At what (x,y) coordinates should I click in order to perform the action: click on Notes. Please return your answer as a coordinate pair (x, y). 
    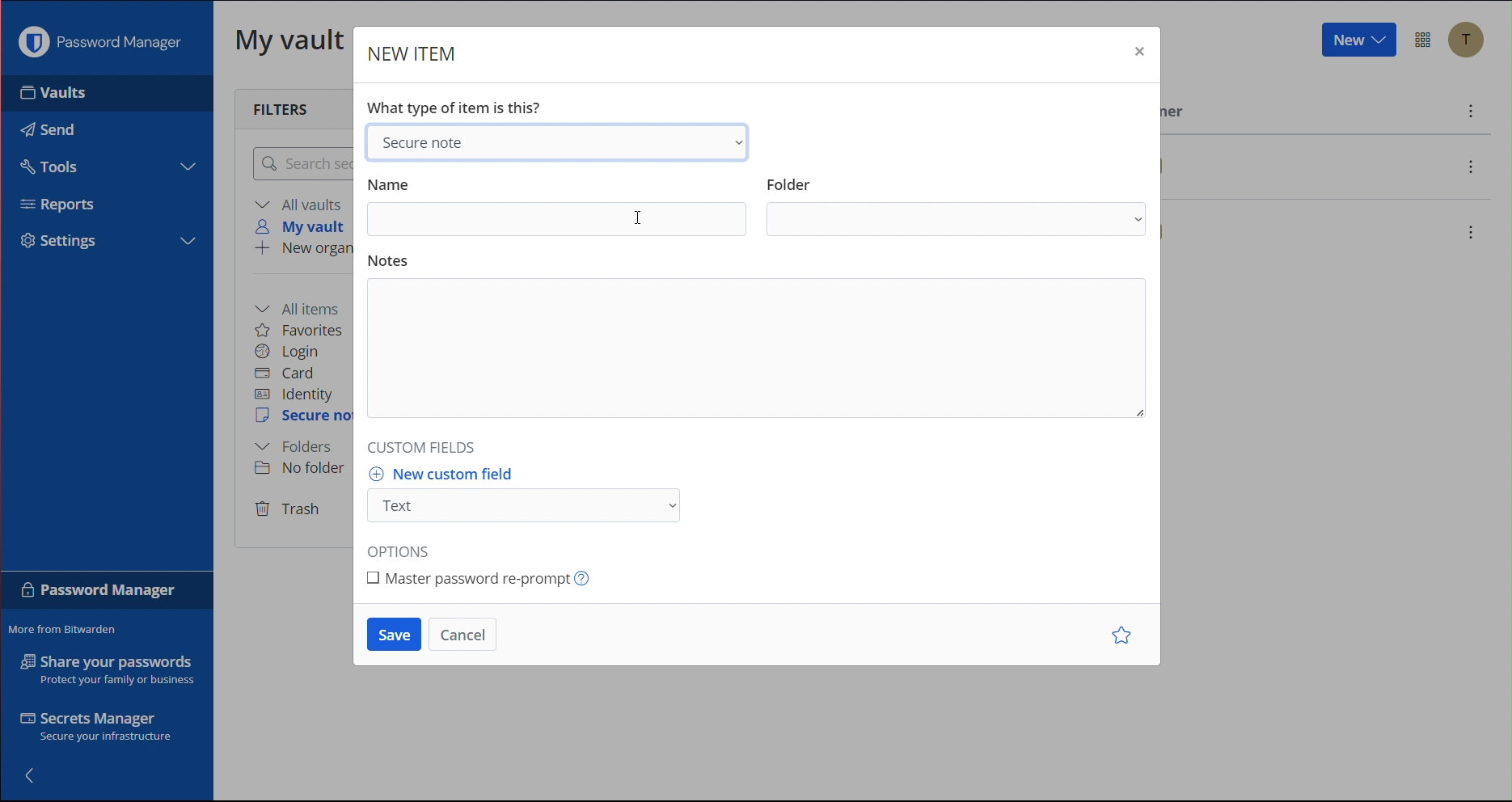
    Looking at the image, I should click on (760, 340).